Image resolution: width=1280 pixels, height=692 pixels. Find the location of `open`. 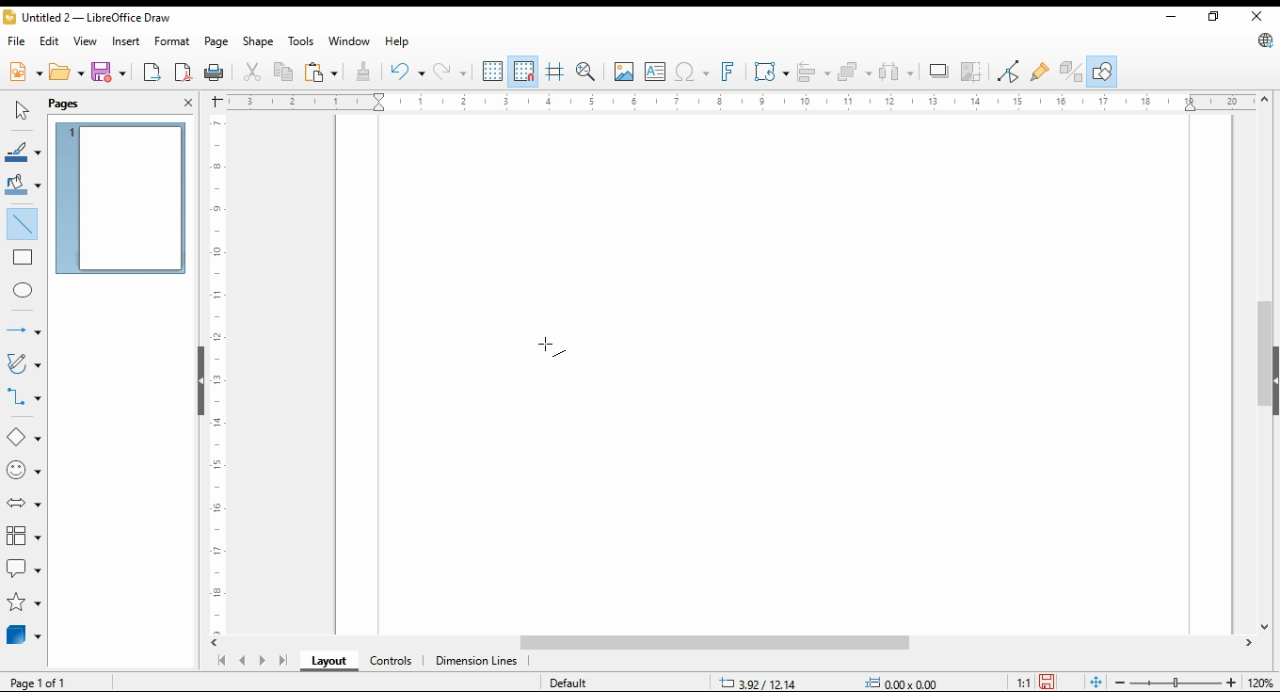

open is located at coordinates (67, 70).